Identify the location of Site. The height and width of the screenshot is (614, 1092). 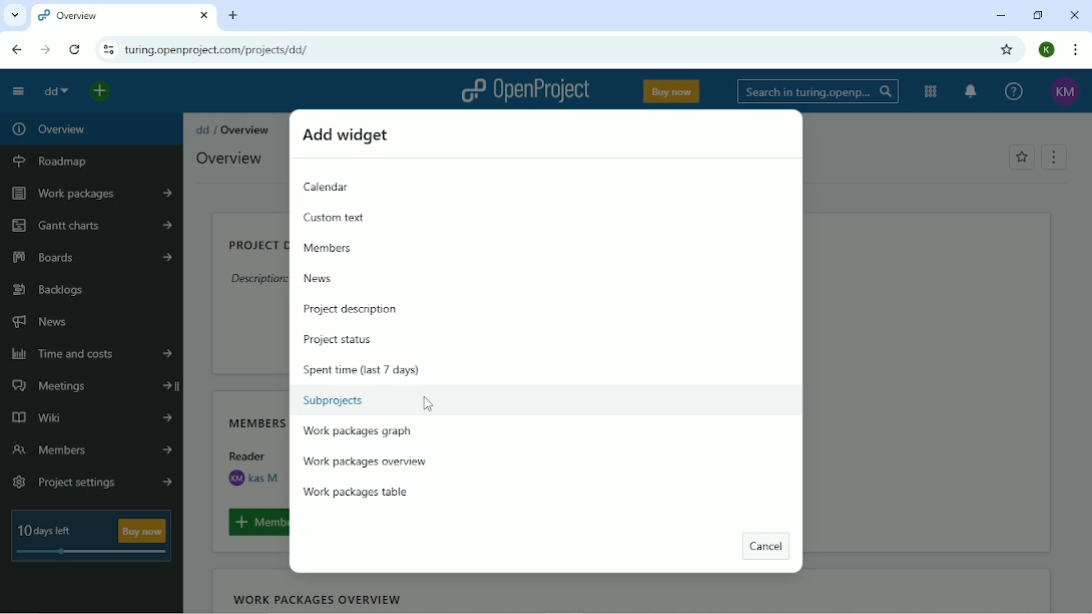
(219, 50).